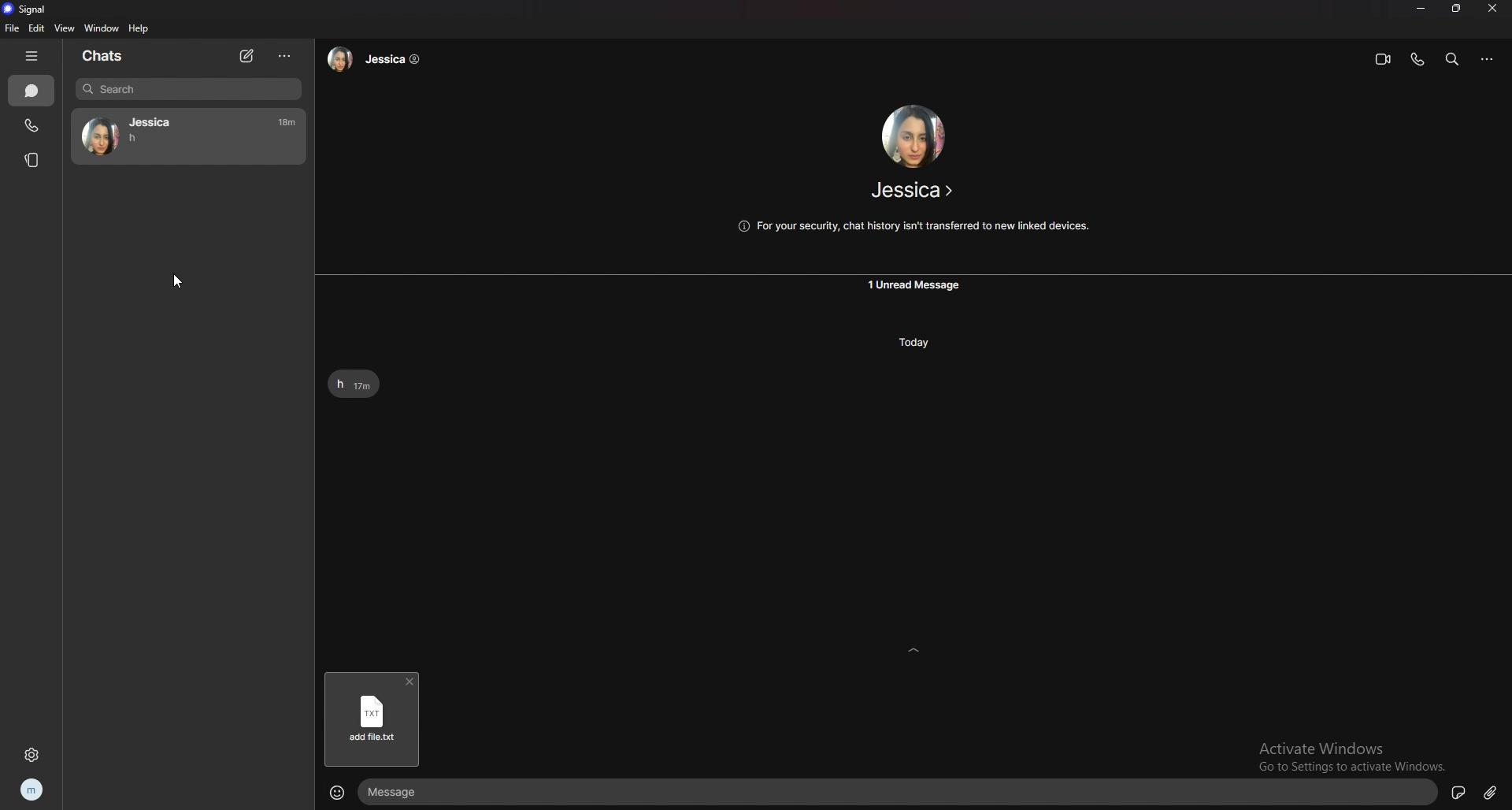 The height and width of the screenshot is (810, 1512). I want to click on today, so click(911, 342).